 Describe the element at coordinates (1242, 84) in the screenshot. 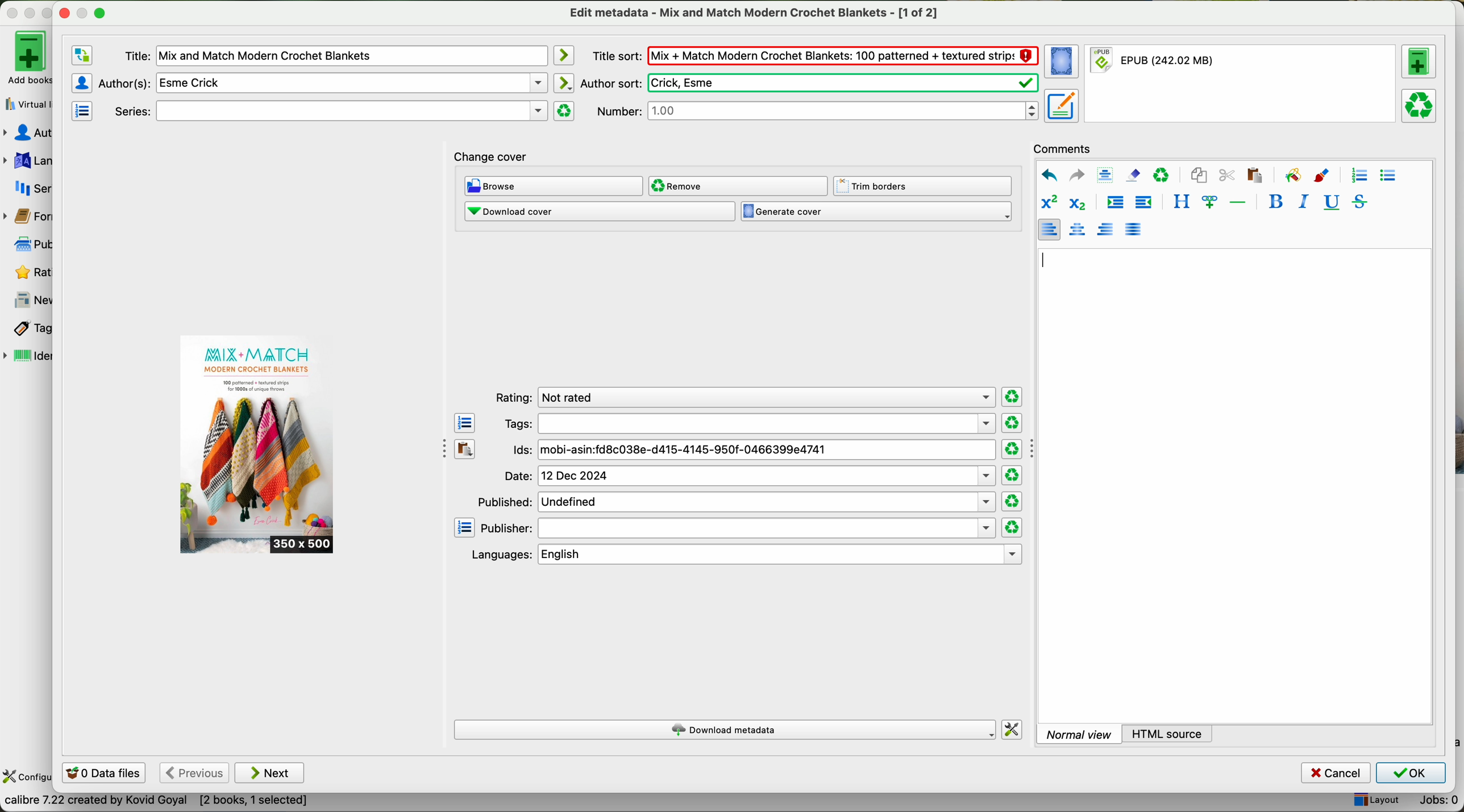

I see `format` at that location.